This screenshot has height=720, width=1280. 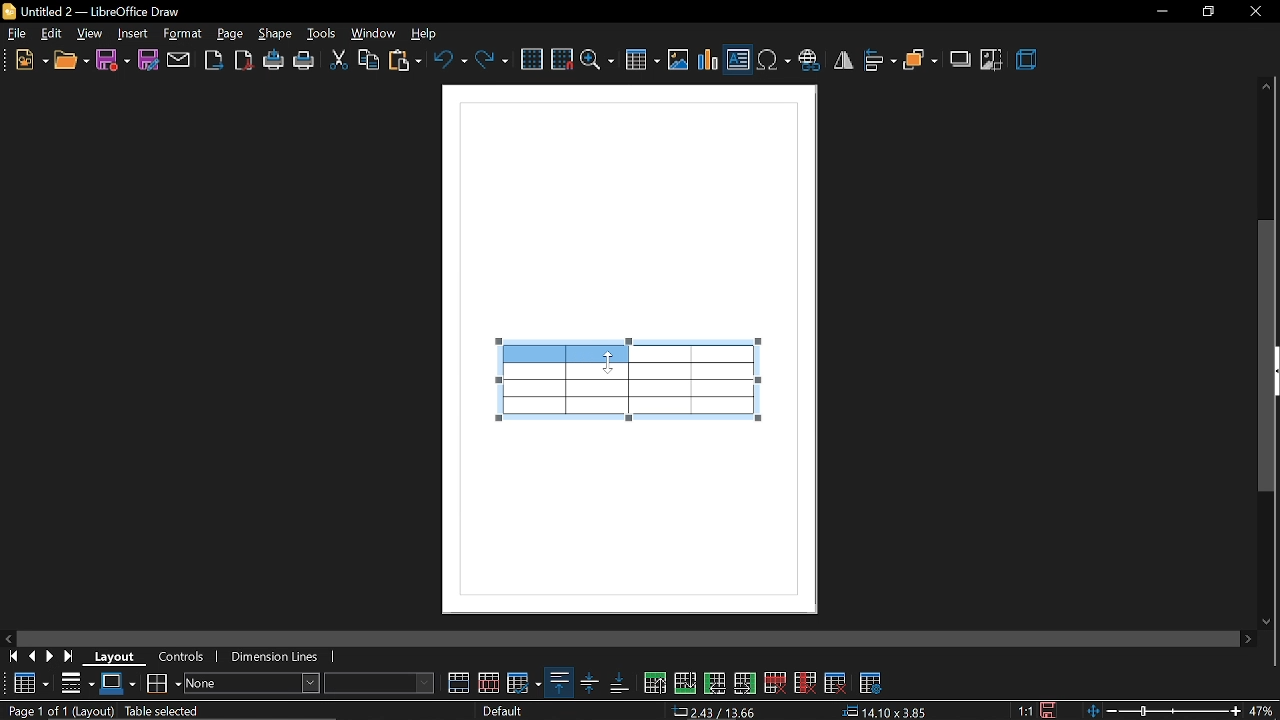 I want to click on shape, so click(x=276, y=33).